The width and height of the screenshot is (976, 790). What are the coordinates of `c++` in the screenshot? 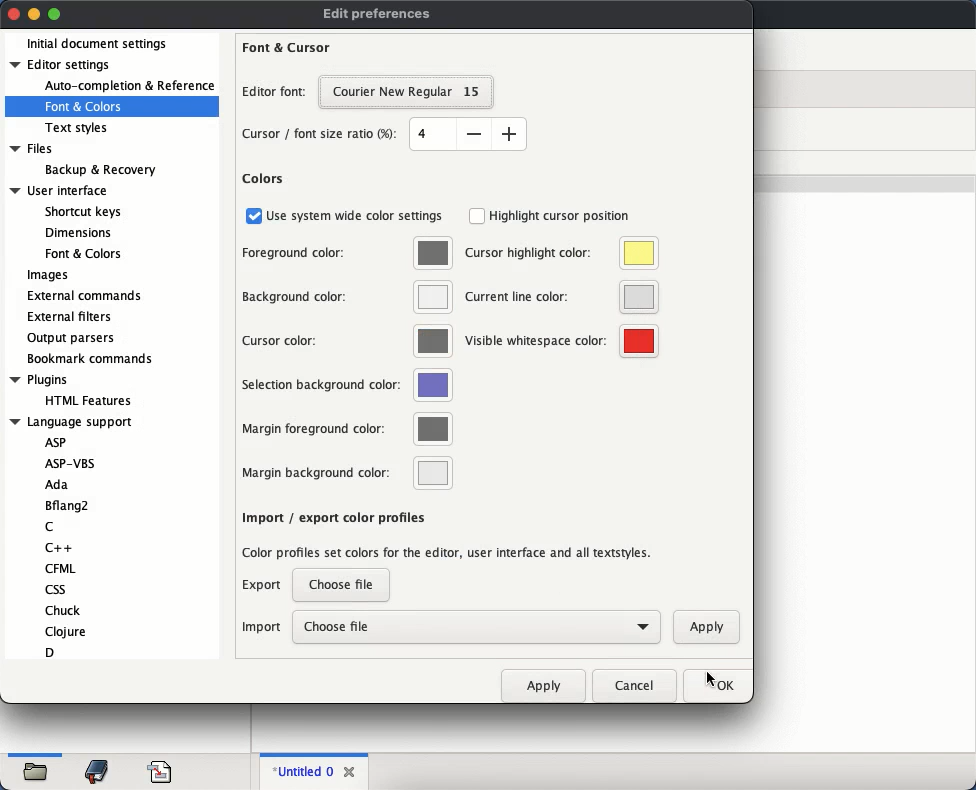 It's located at (61, 547).